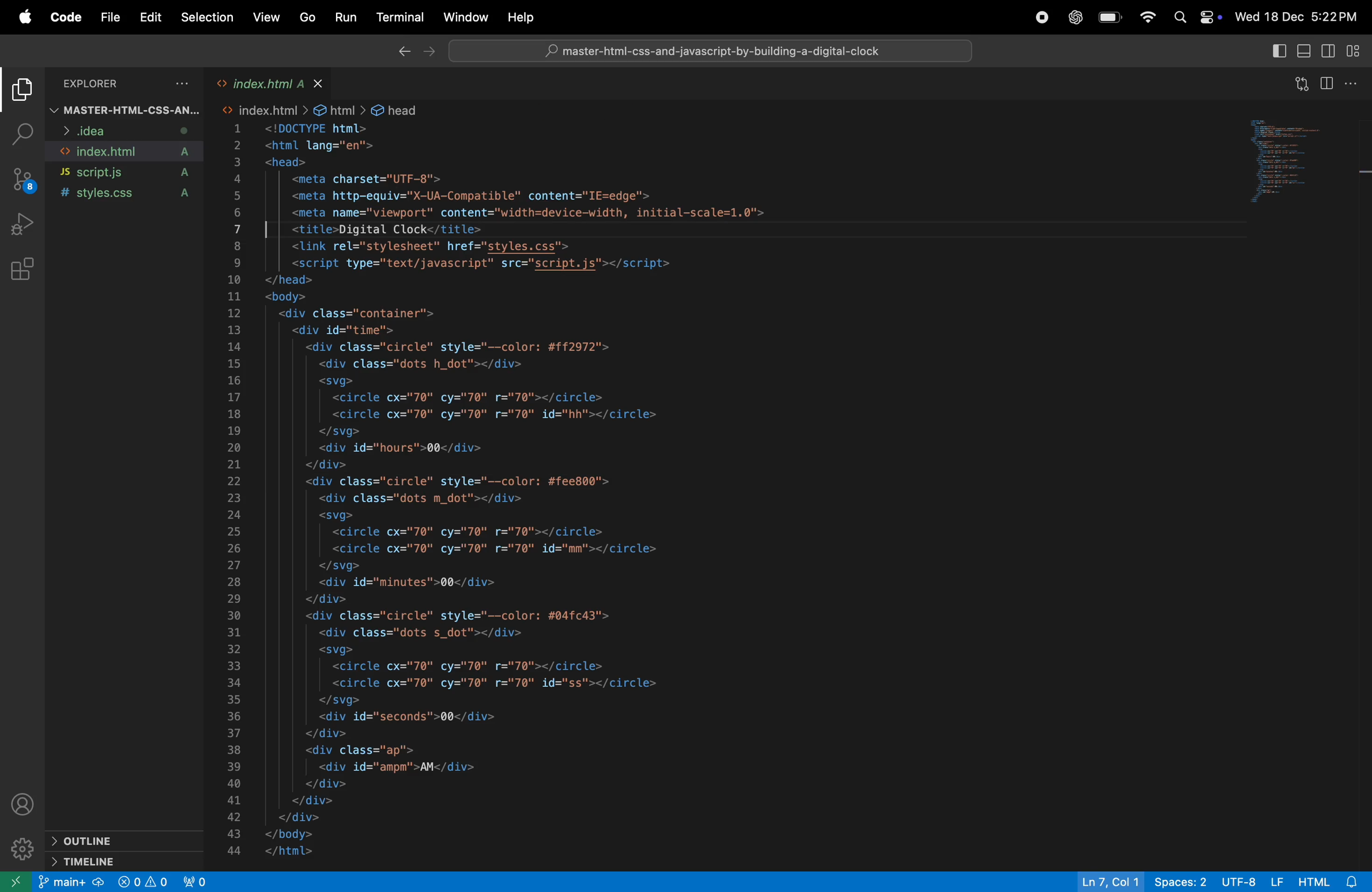  Describe the element at coordinates (1253, 880) in the screenshot. I see `utf -8 lf` at that location.